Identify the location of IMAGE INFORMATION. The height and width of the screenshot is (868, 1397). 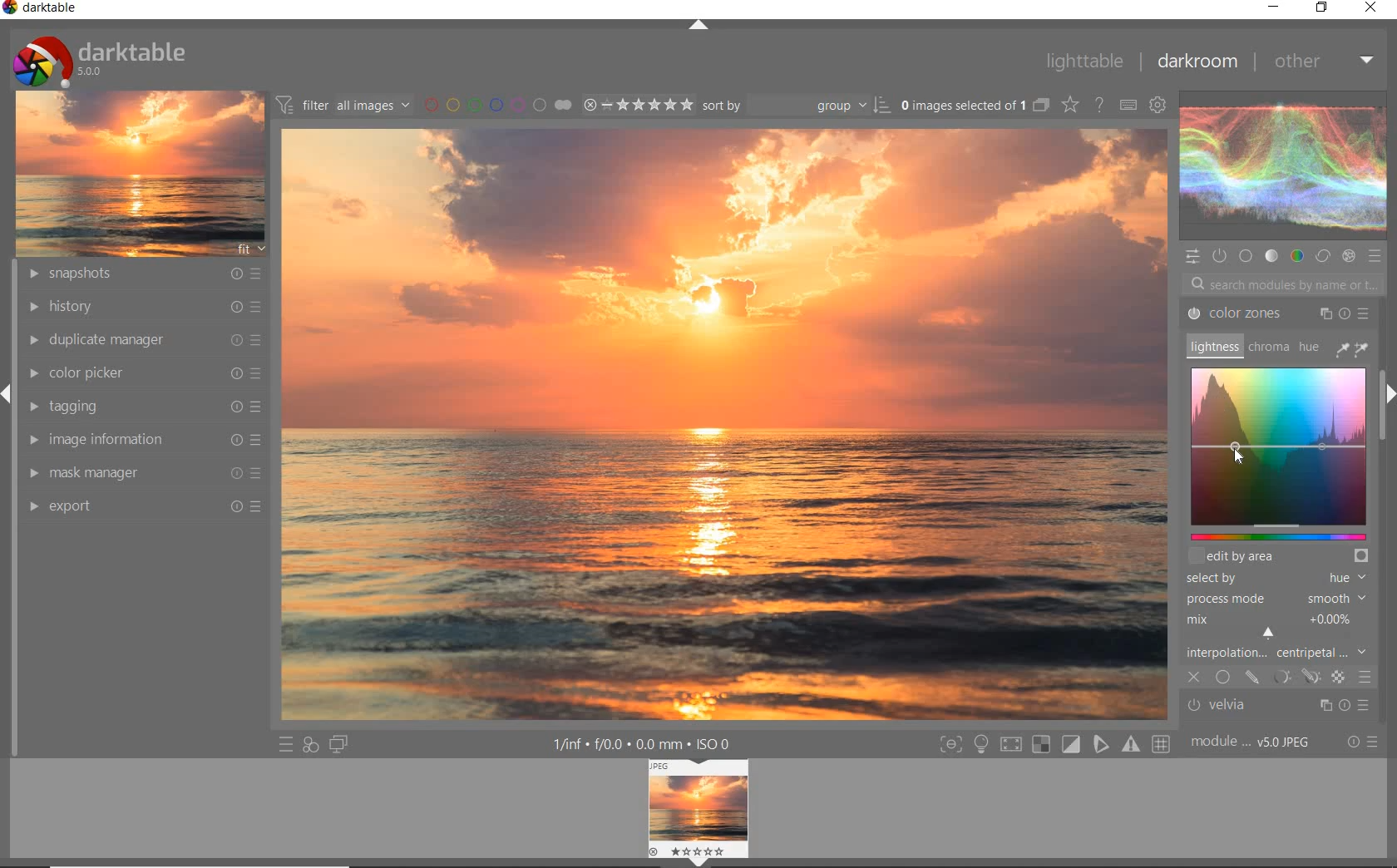
(146, 439).